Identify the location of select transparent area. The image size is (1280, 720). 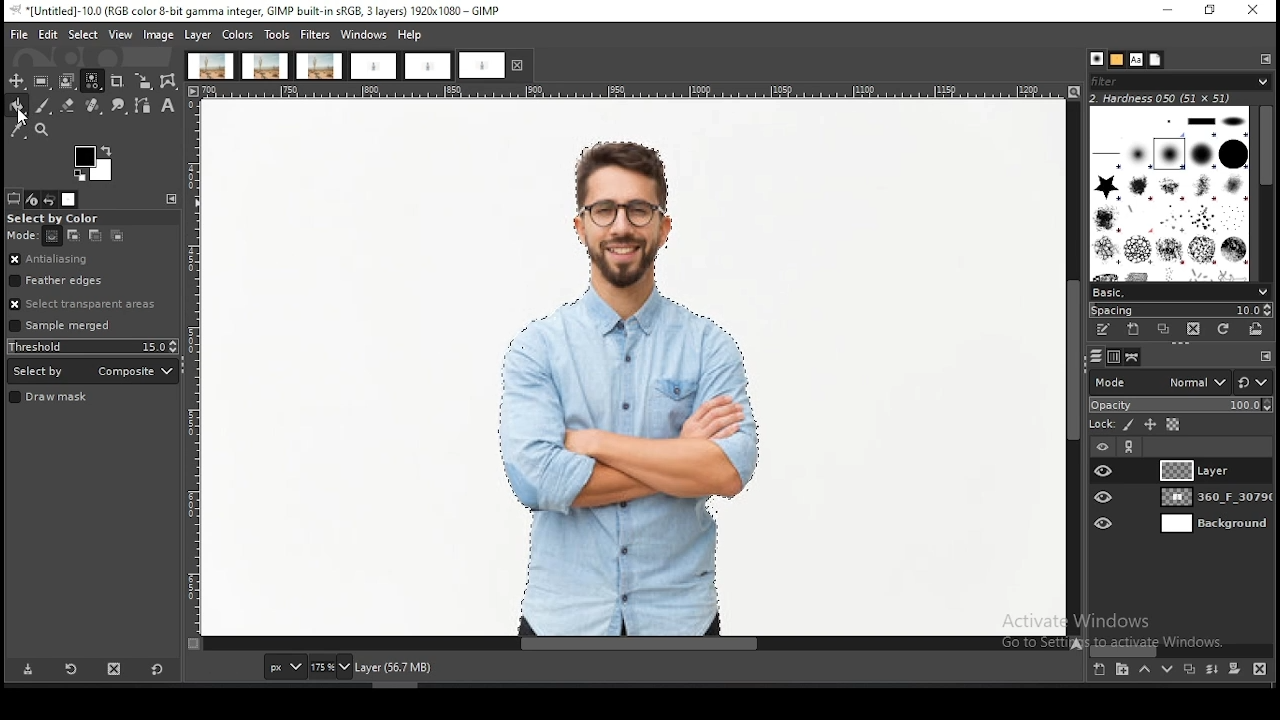
(83, 303).